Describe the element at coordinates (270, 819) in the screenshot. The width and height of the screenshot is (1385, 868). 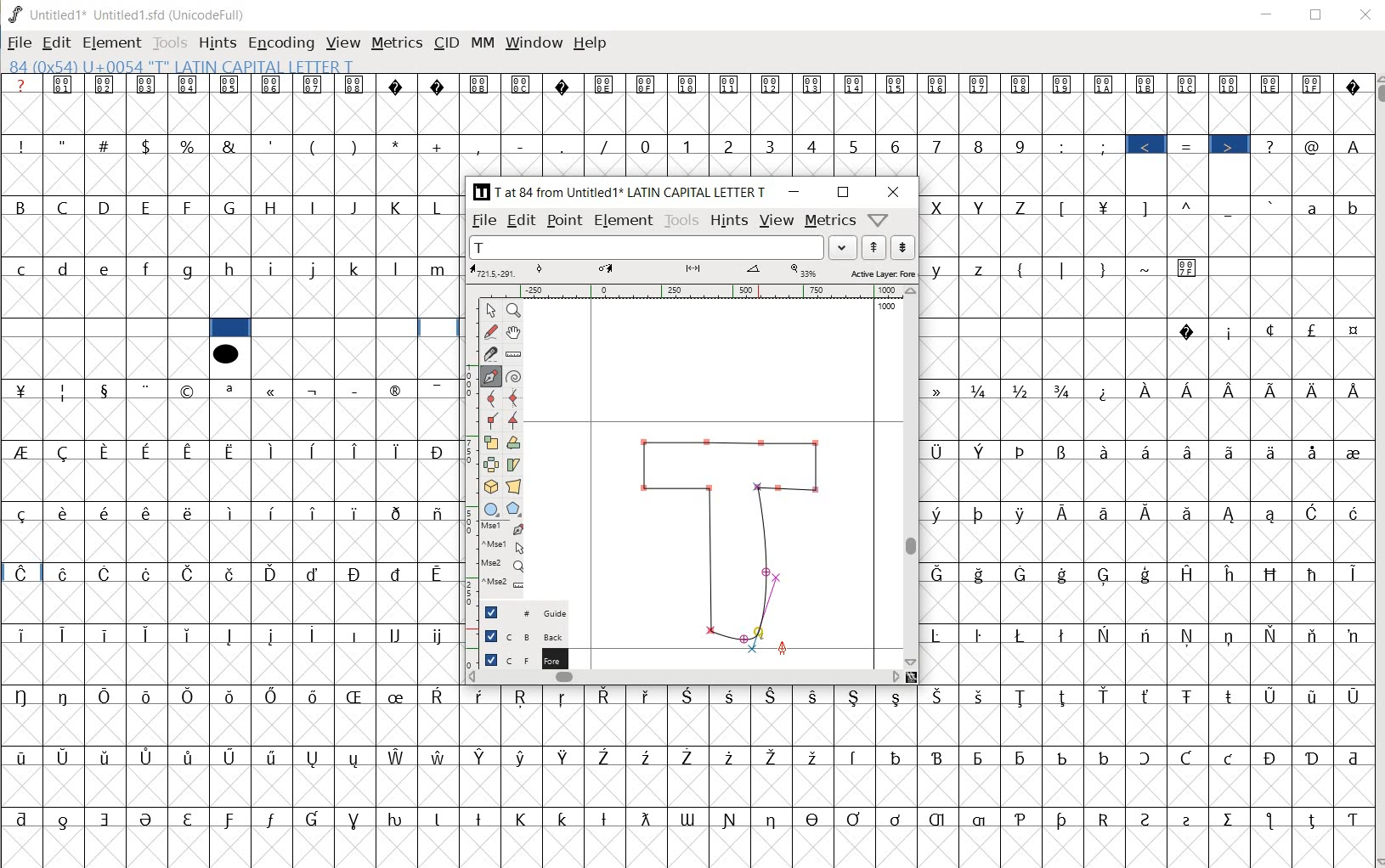
I see `Symbol` at that location.